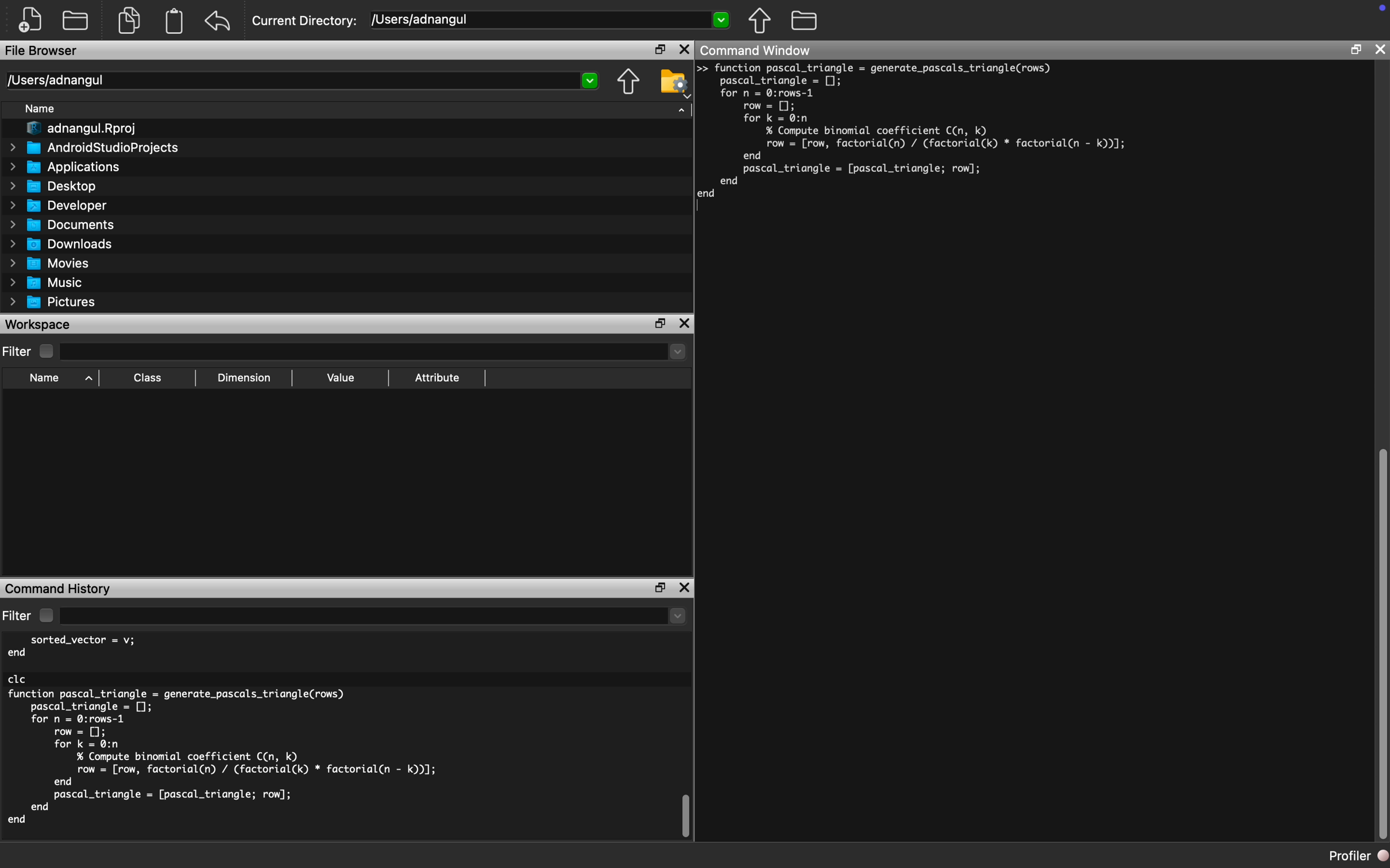  I want to click on Scroll, so click(1380, 455).